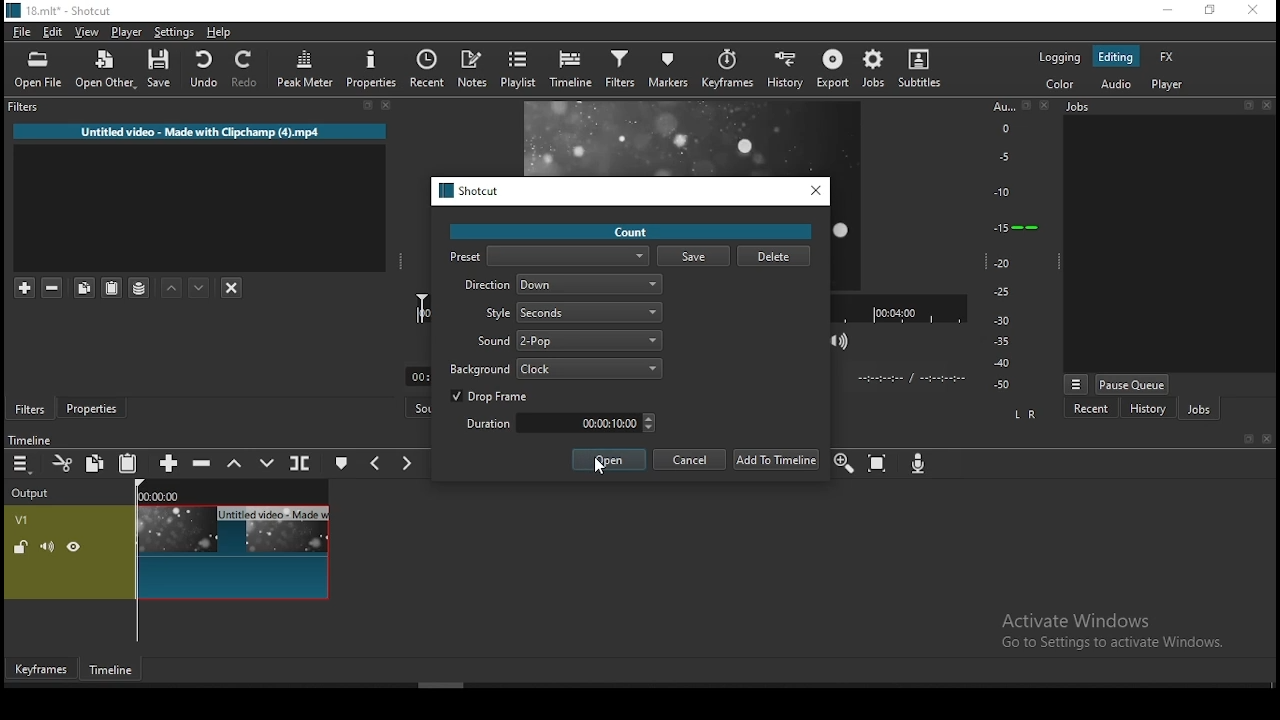 The height and width of the screenshot is (720, 1280). What do you see at coordinates (200, 132) in the screenshot?
I see `Untitled video - Made with Clipchamp (4).mp4` at bounding box center [200, 132].